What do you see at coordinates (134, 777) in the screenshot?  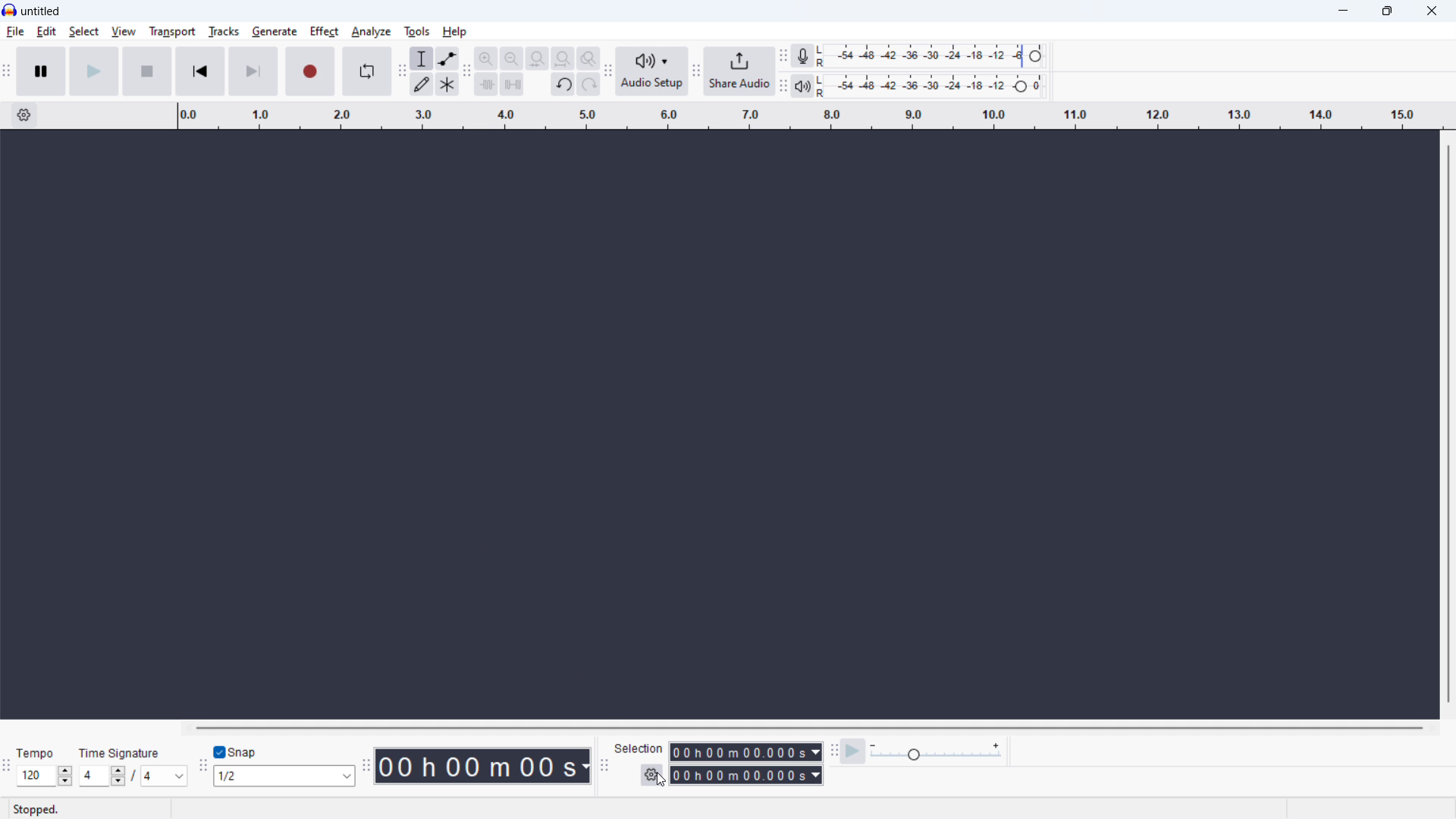 I see `set time signature` at bounding box center [134, 777].